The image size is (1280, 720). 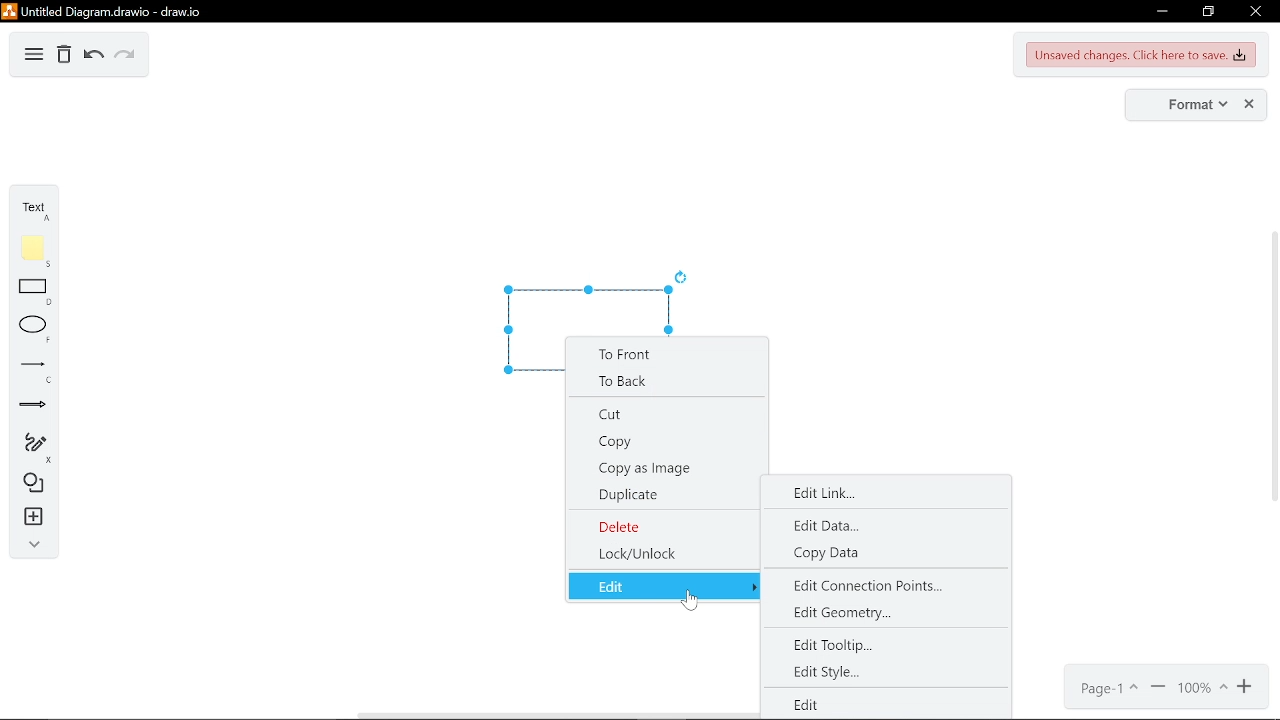 What do you see at coordinates (35, 448) in the screenshot?
I see `freehand` at bounding box center [35, 448].